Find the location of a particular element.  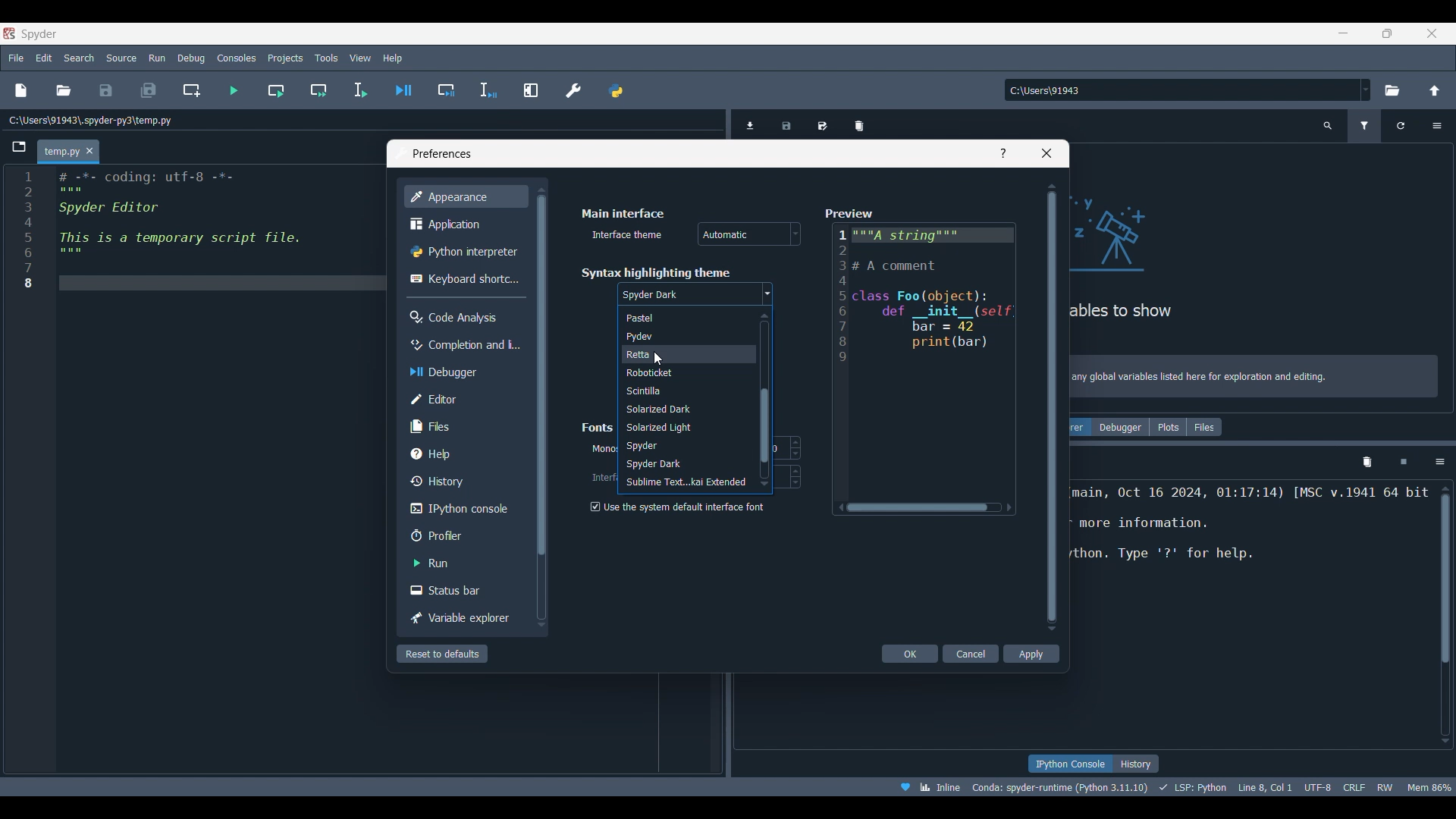

Location options is located at coordinates (1366, 89).